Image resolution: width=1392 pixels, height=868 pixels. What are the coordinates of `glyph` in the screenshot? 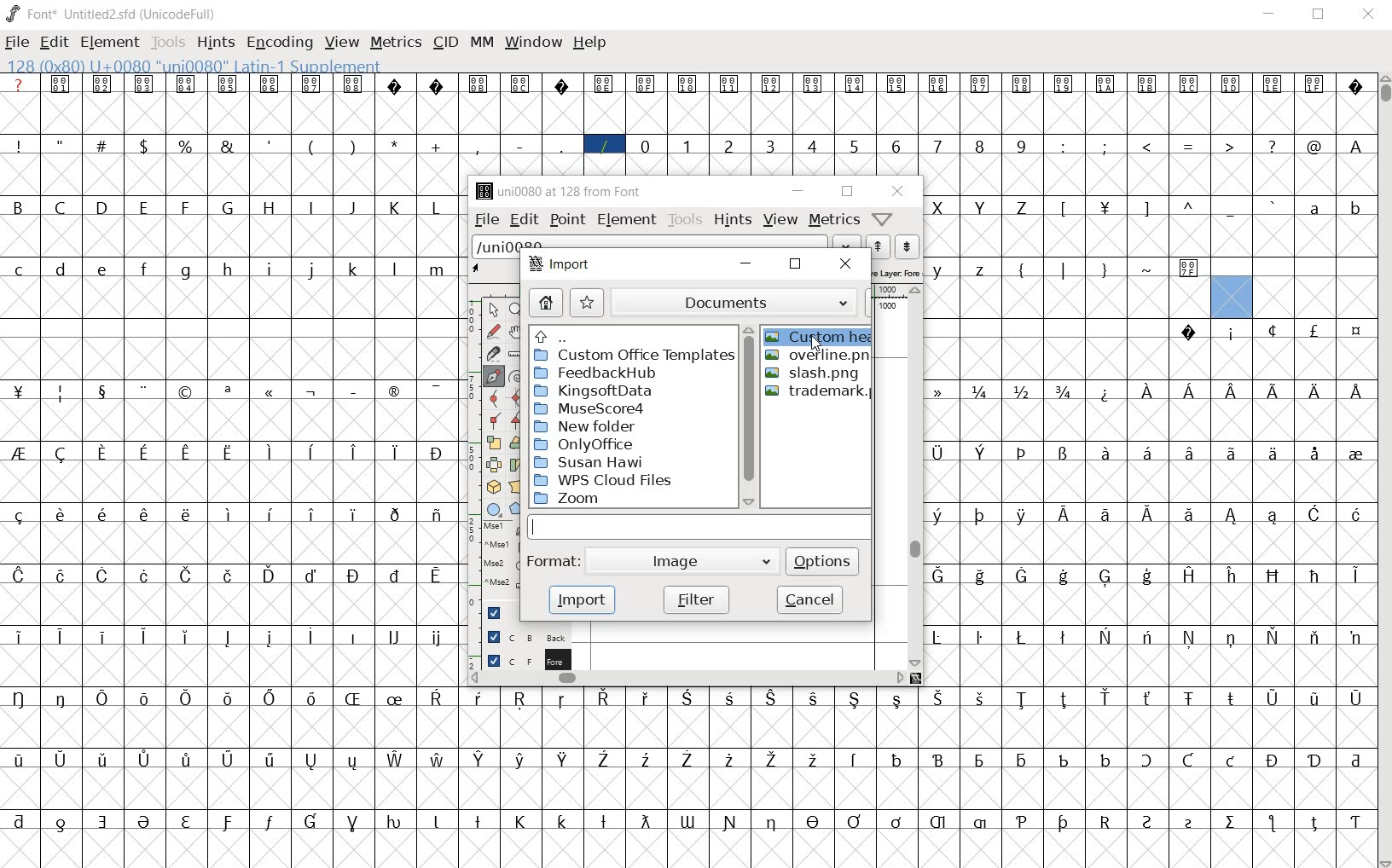 It's located at (937, 454).